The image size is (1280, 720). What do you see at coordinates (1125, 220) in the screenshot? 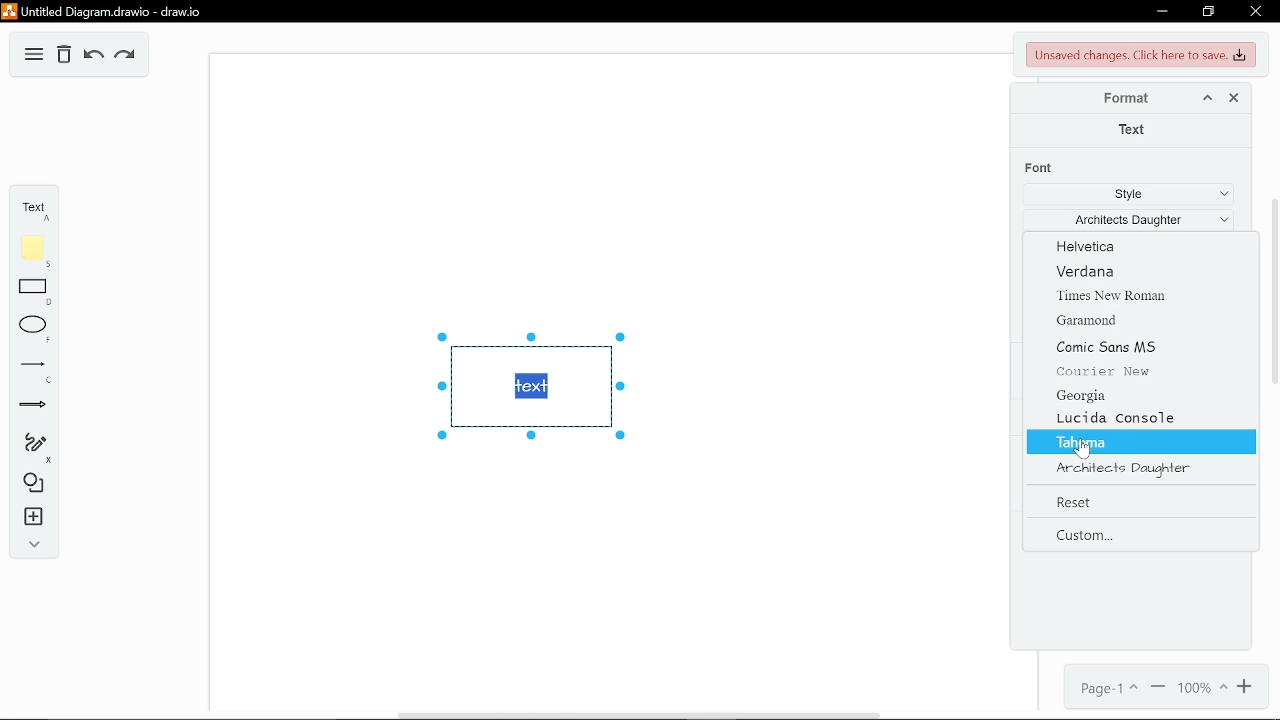
I see `font style` at bounding box center [1125, 220].